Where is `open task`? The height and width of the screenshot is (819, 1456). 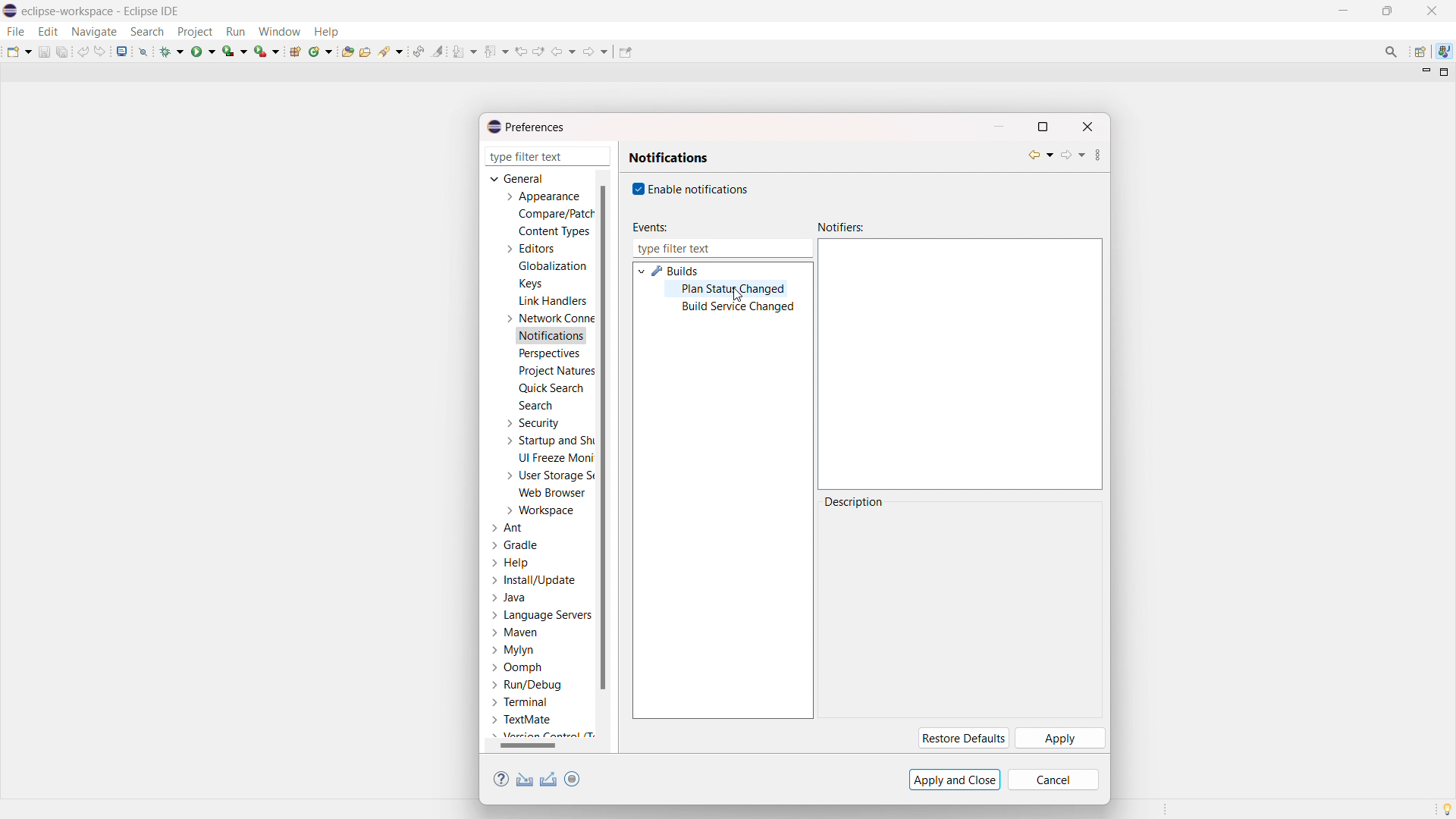 open task is located at coordinates (367, 50).